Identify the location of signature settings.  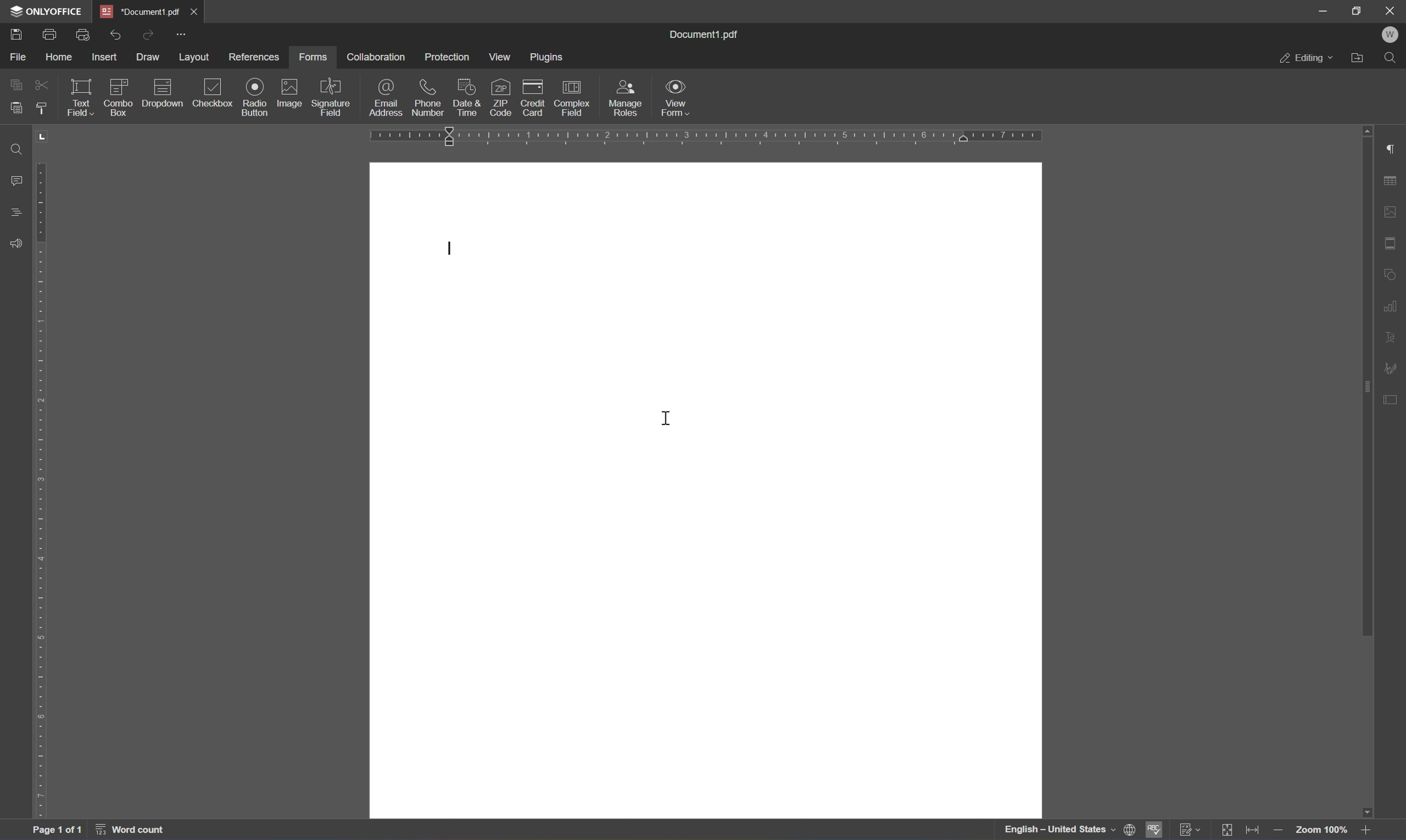
(1395, 366).